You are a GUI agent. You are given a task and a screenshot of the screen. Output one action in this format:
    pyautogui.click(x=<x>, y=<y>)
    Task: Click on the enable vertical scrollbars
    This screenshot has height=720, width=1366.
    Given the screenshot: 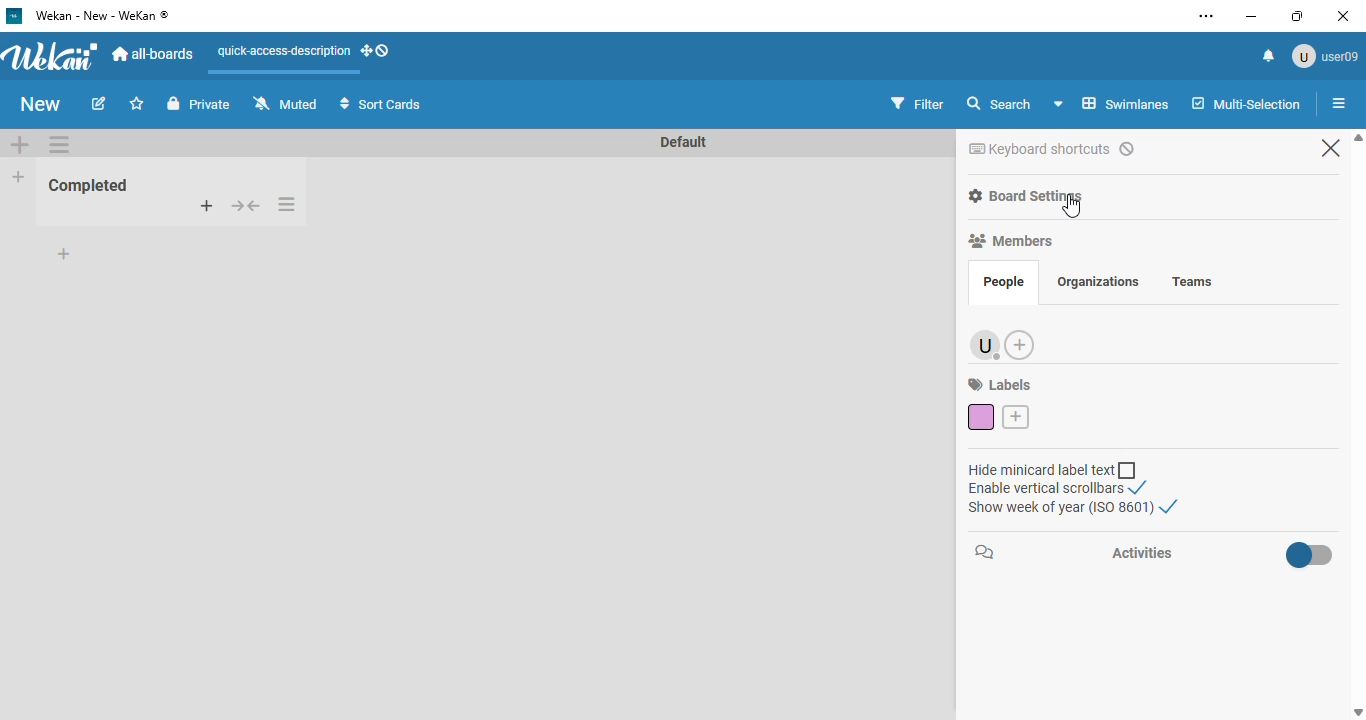 What is the action you would take?
    pyautogui.click(x=1057, y=489)
    